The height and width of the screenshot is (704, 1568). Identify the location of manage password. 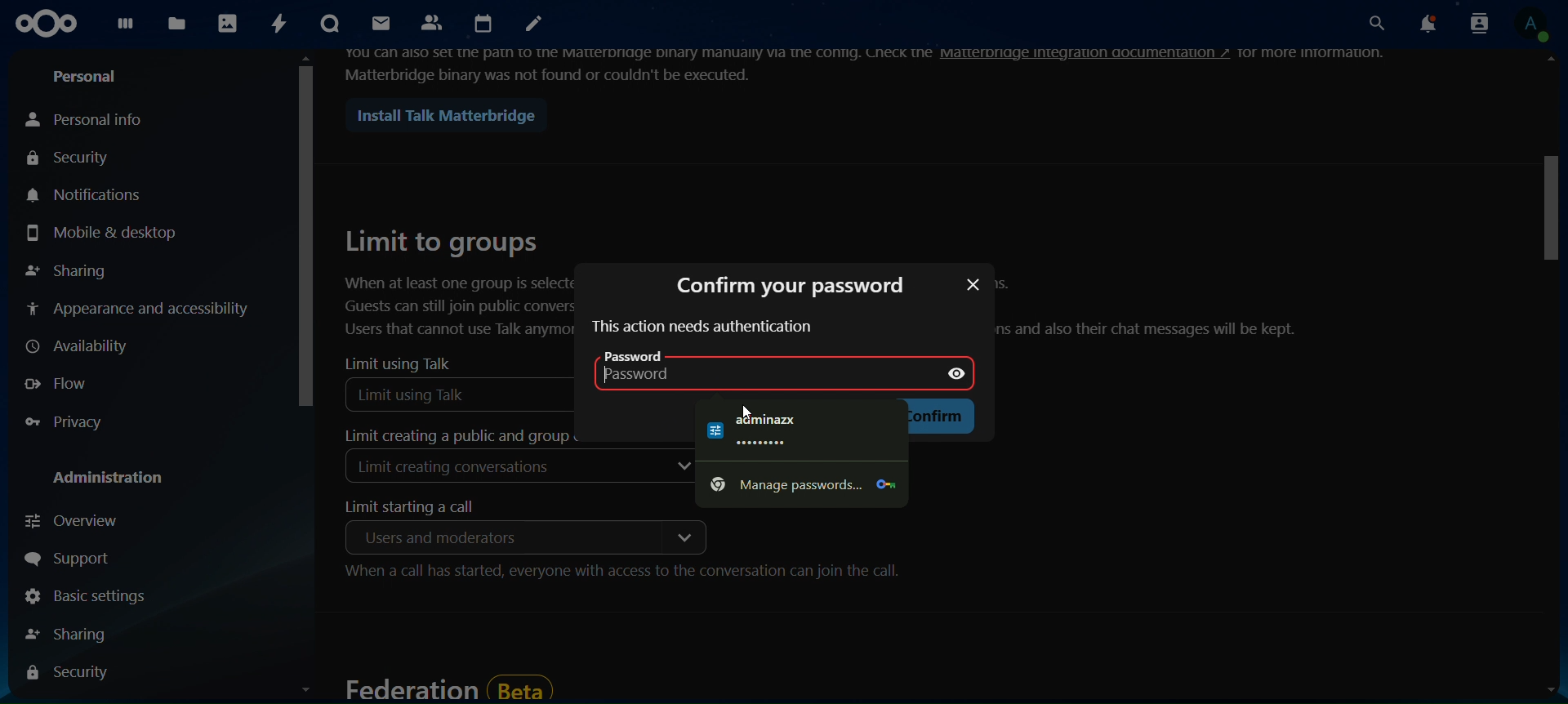
(798, 483).